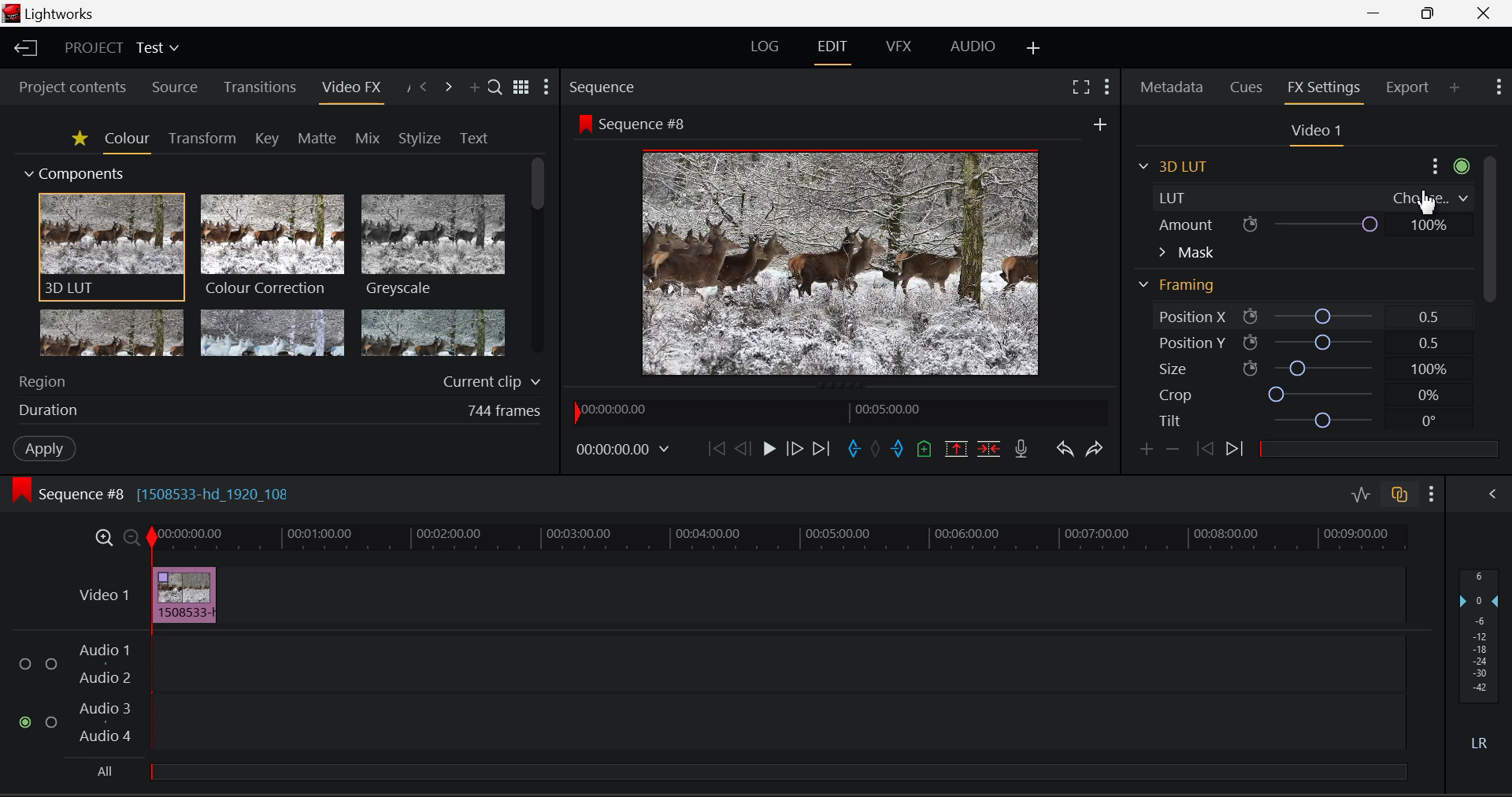 The width and height of the screenshot is (1512, 797). Describe the element at coordinates (1170, 87) in the screenshot. I see `Metadata` at that location.